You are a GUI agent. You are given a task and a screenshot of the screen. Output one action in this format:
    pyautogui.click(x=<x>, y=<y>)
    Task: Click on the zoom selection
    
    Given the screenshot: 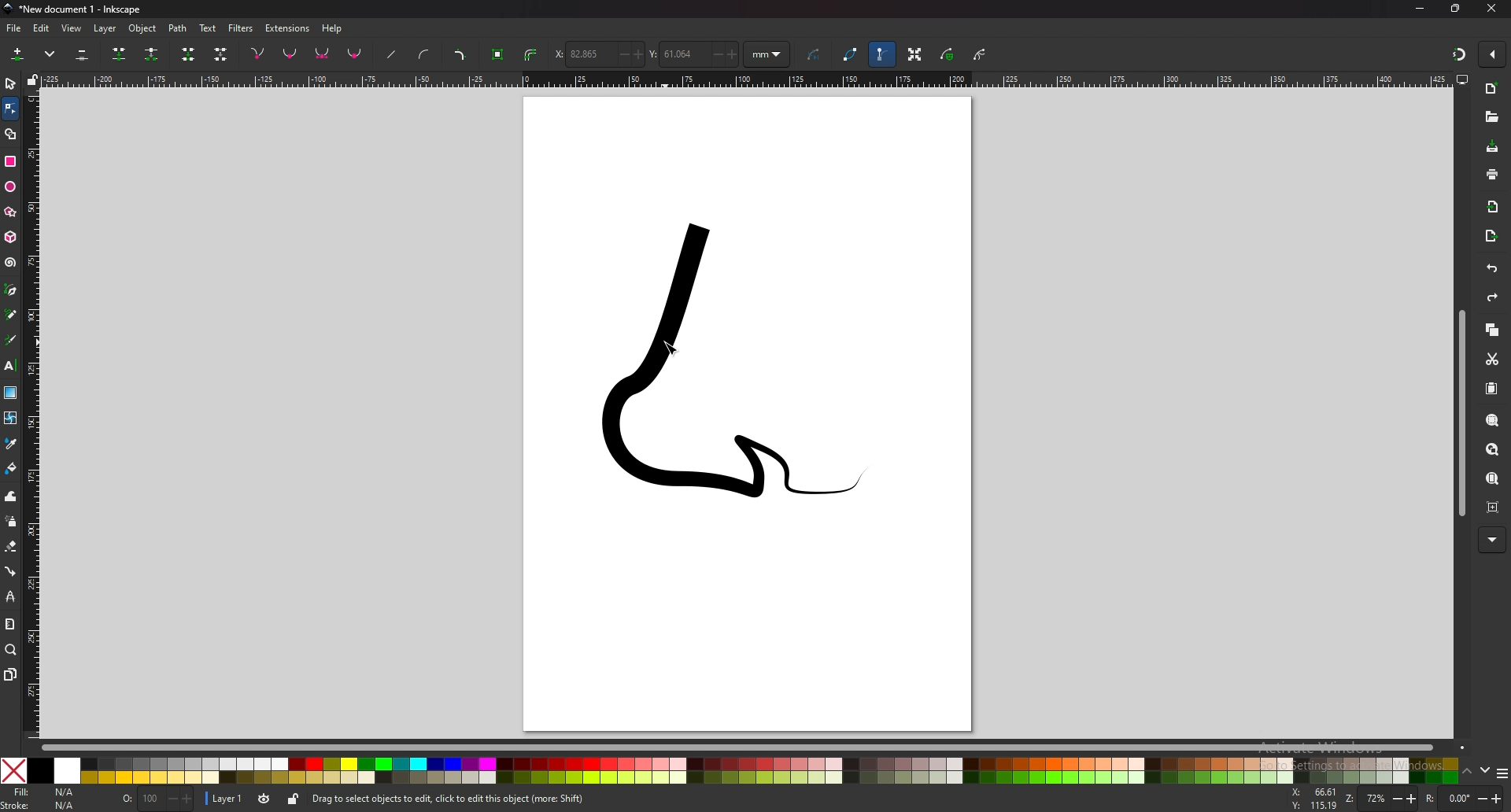 What is the action you would take?
    pyautogui.click(x=1491, y=420)
    